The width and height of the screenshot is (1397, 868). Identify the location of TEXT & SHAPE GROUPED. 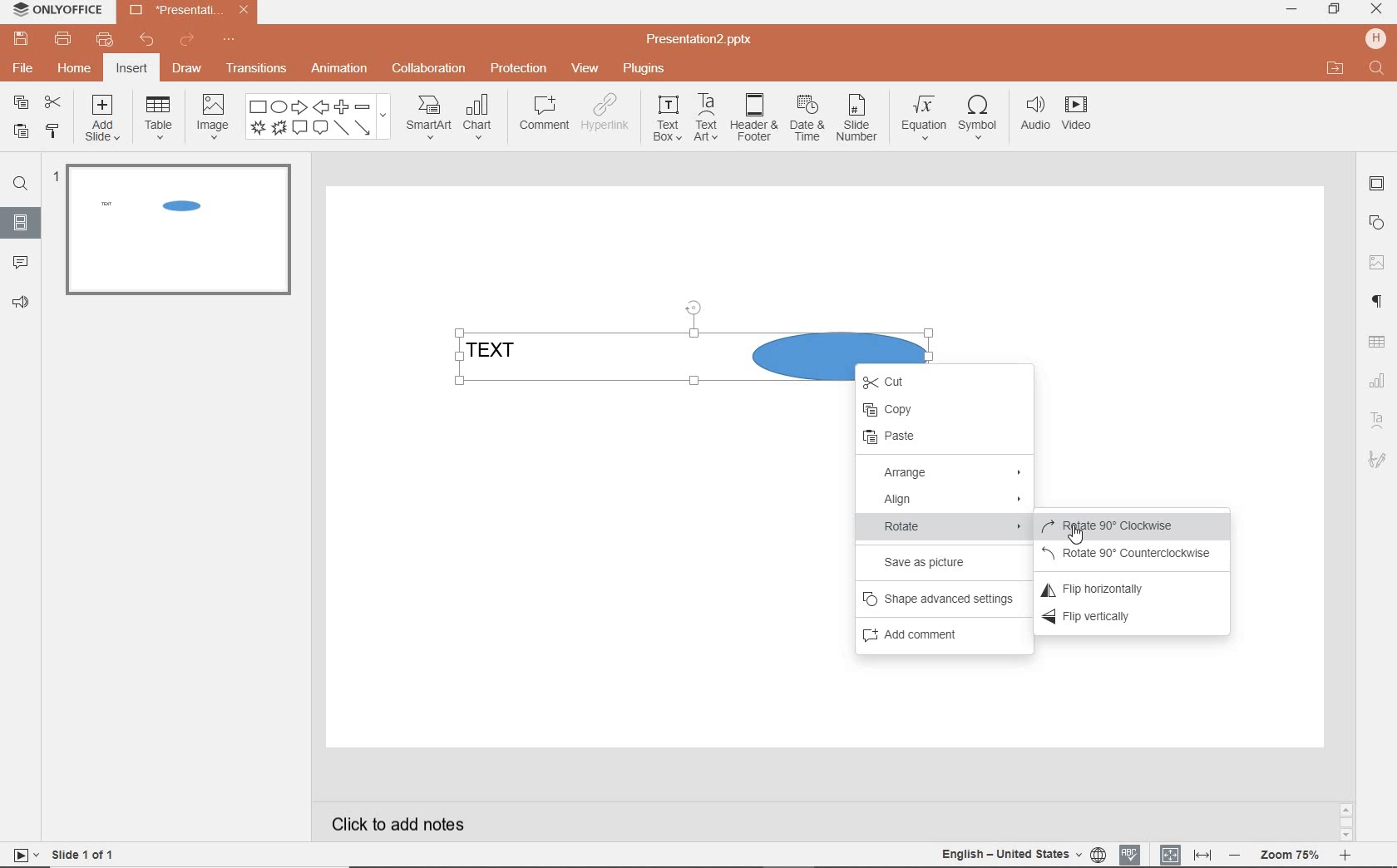
(152, 206).